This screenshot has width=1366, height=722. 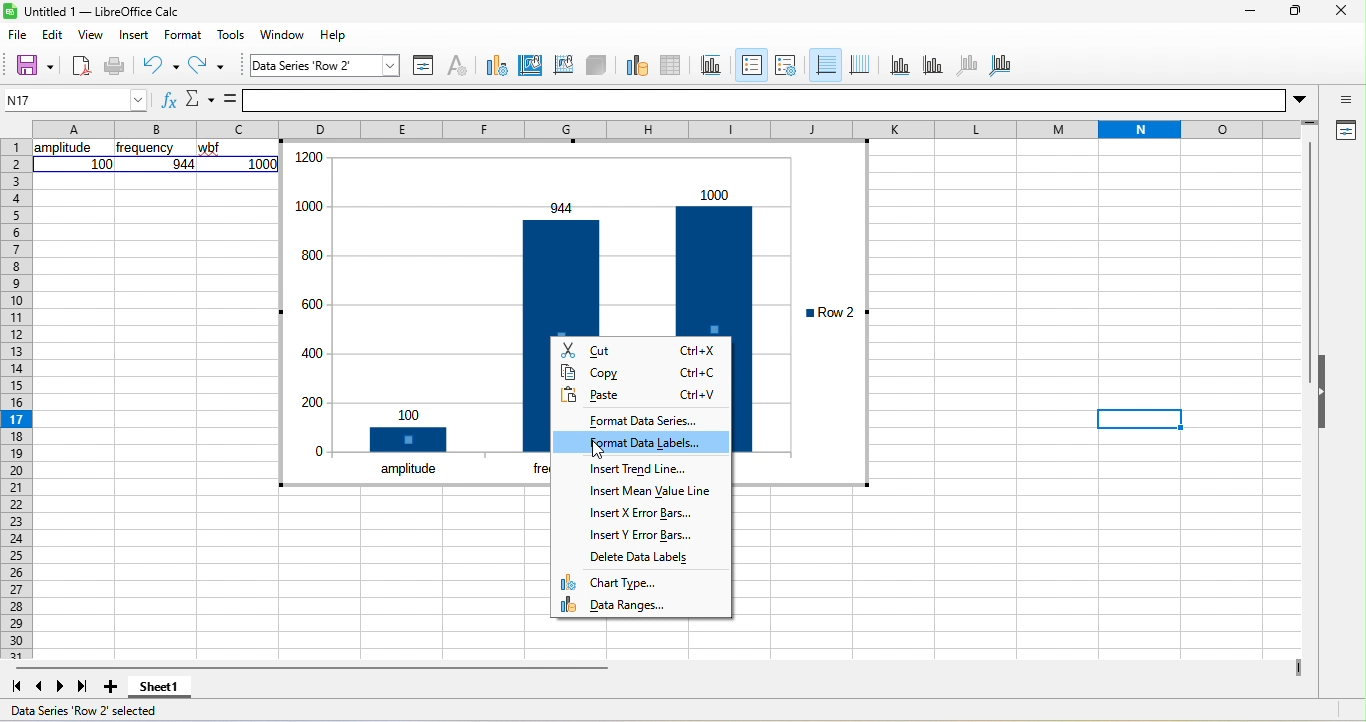 What do you see at coordinates (164, 99) in the screenshot?
I see `function wizard` at bounding box center [164, 99].